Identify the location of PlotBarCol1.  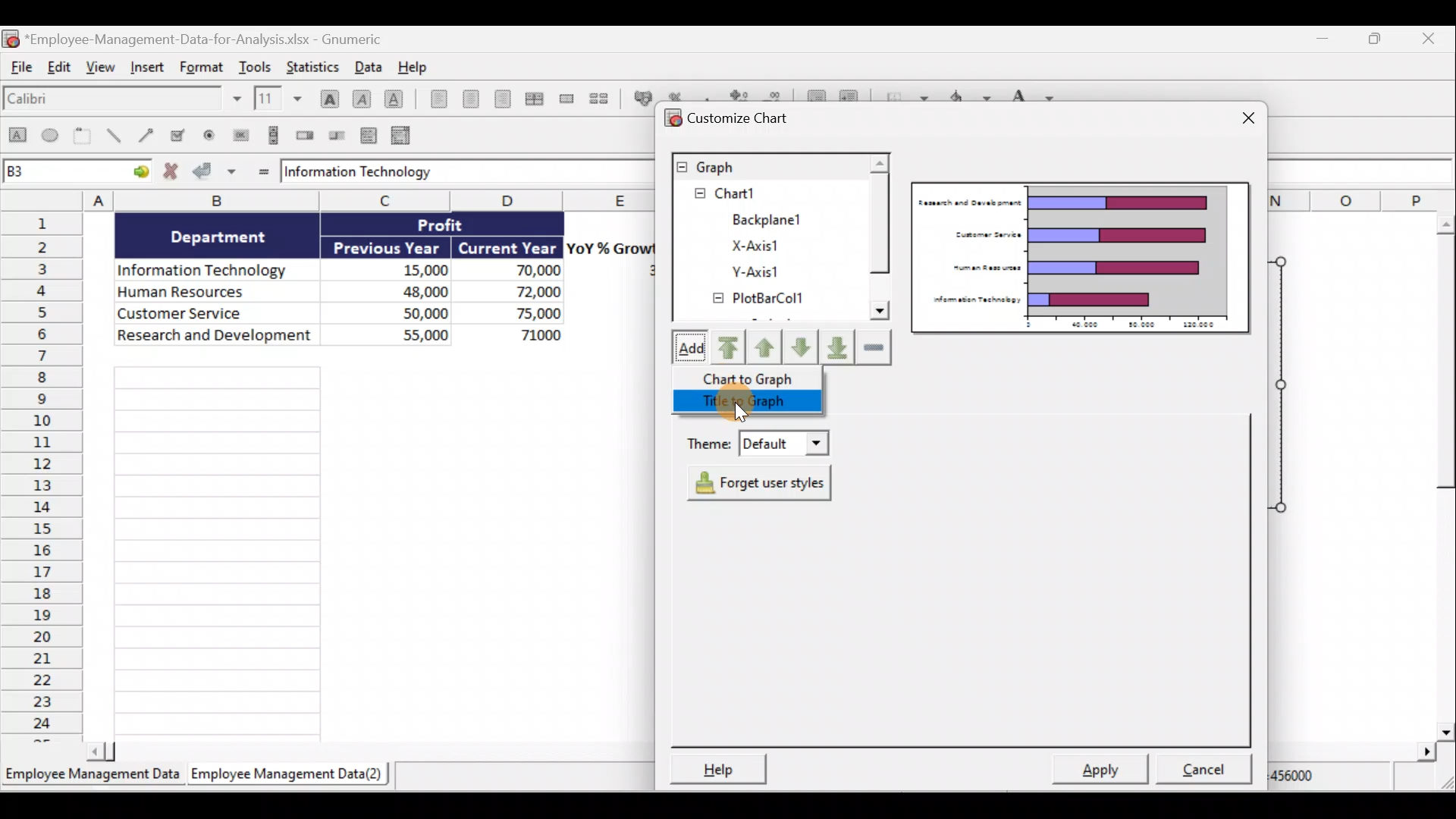
(756, 300).